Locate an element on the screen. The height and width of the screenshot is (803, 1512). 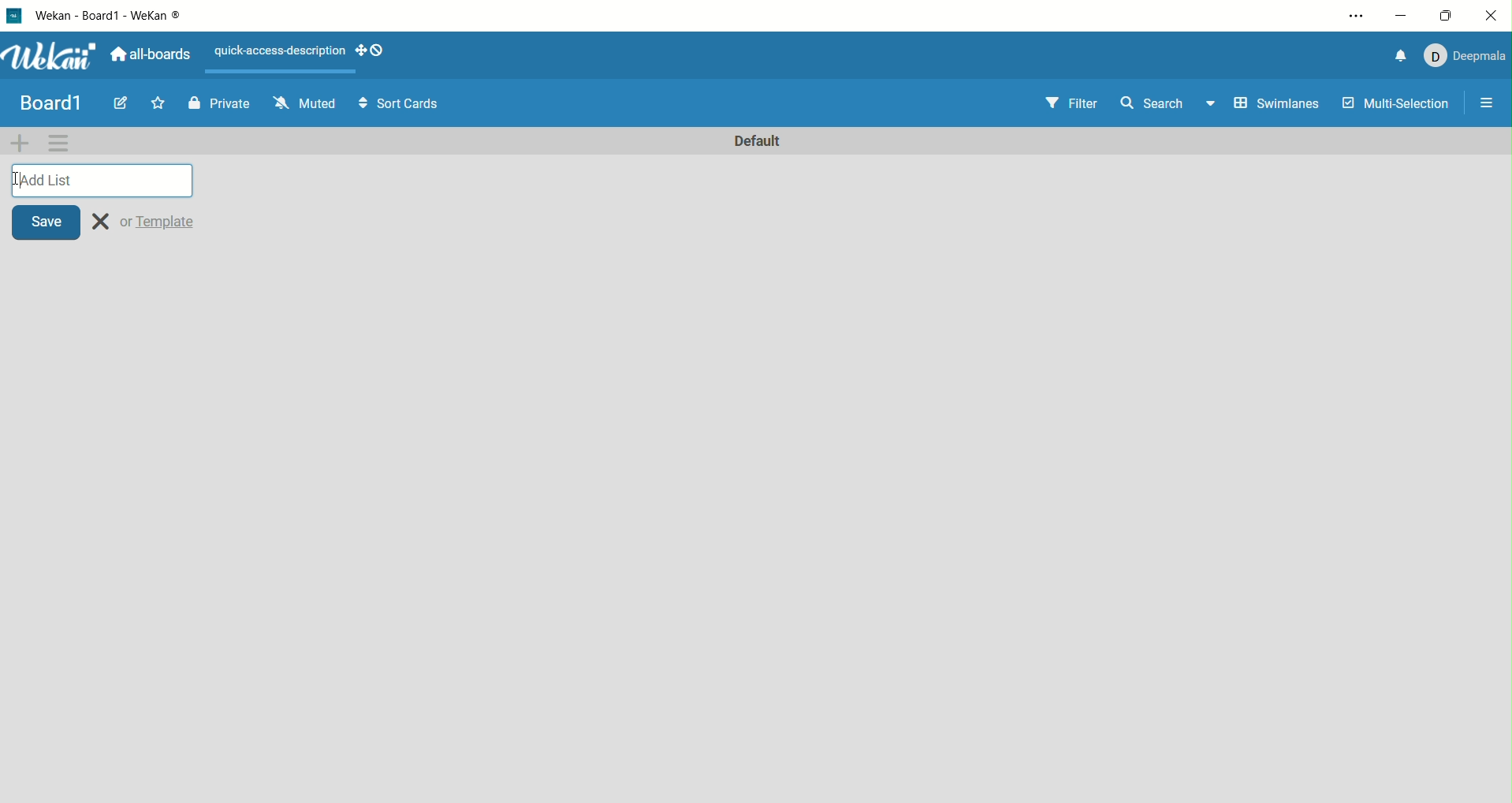
close is located at coordinates (101, 222).